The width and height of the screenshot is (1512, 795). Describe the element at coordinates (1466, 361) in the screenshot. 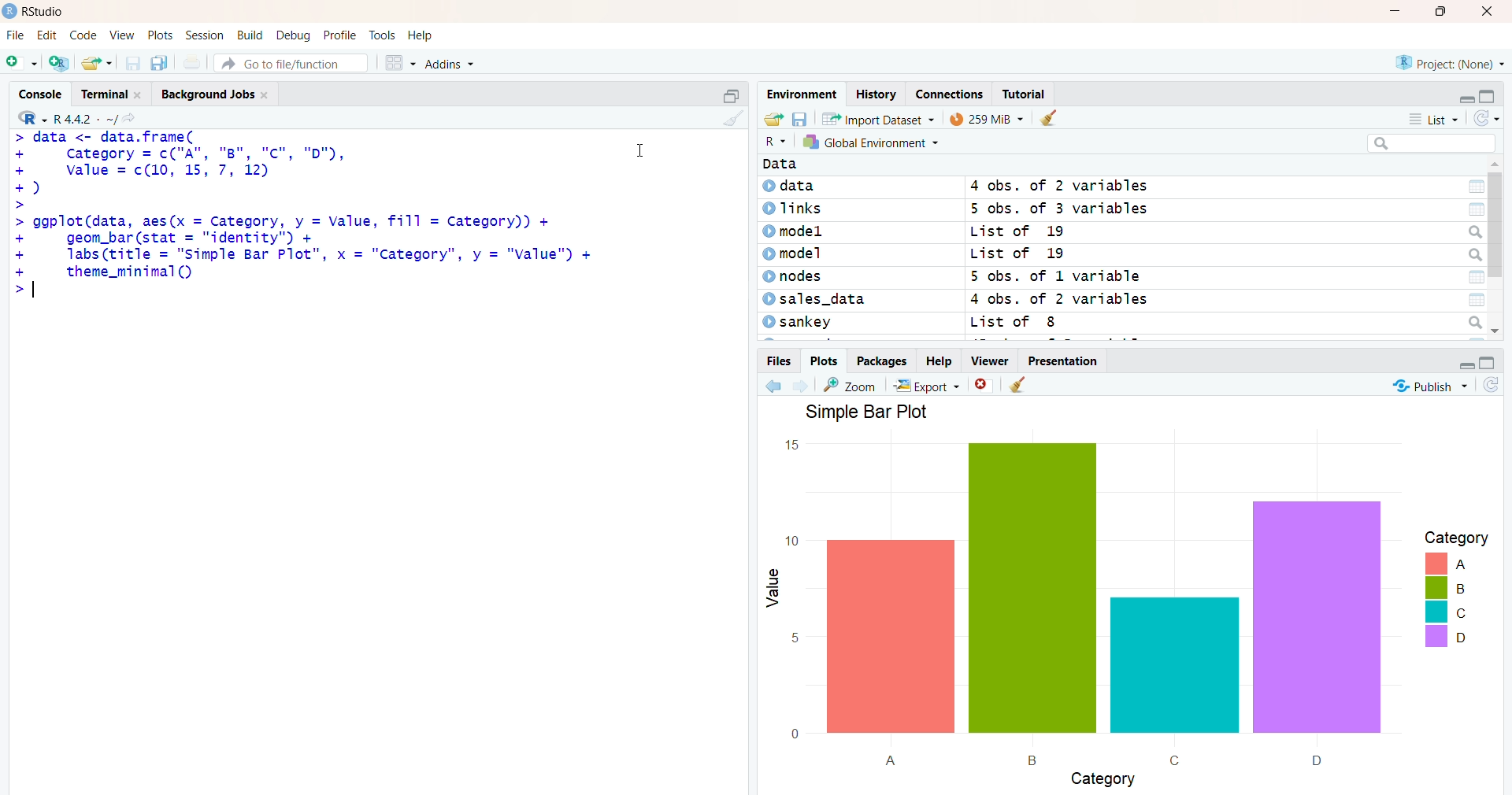

I see `minimize` at that location.